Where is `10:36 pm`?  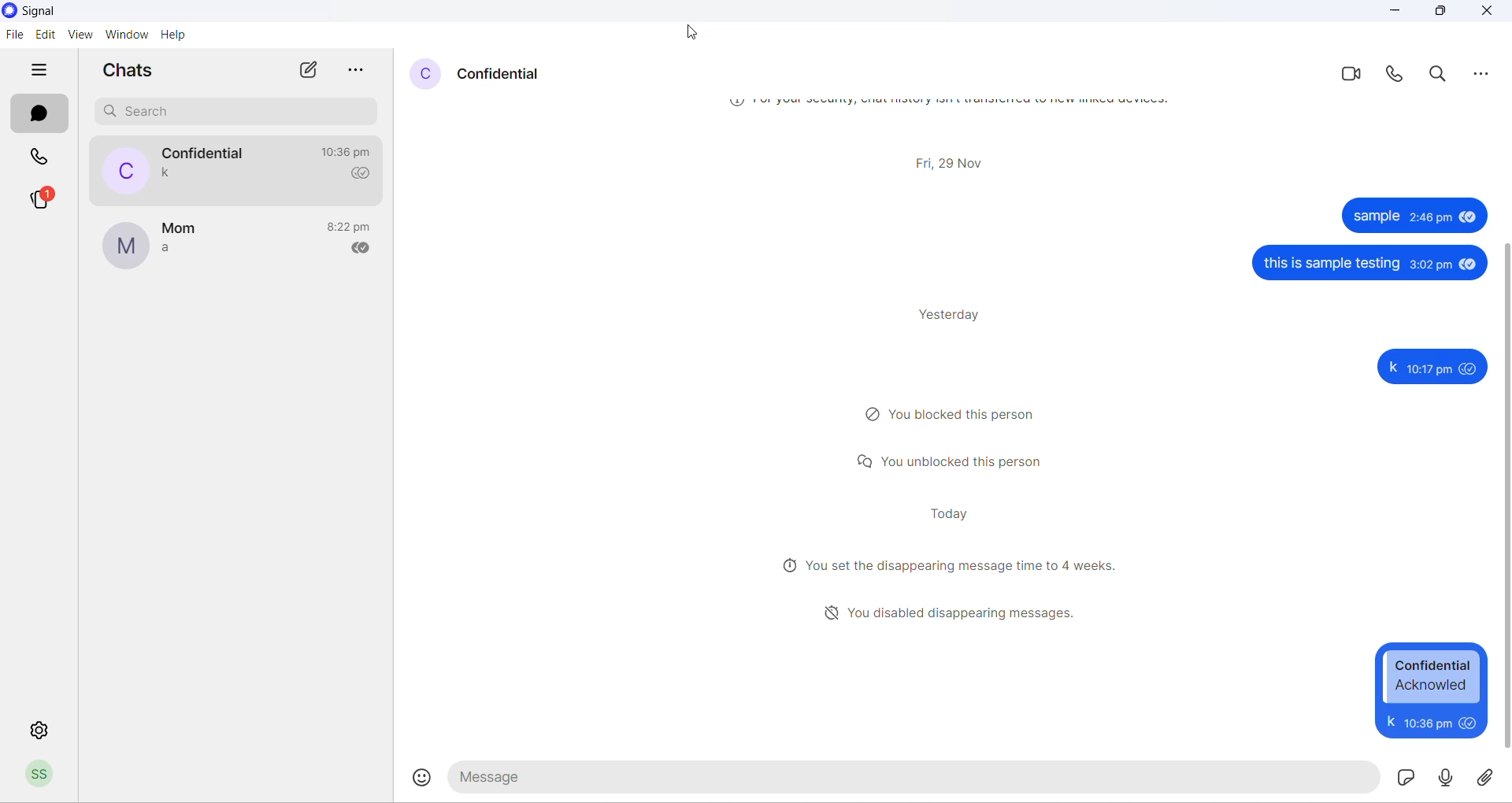
10:36 pm is located at coordinates (1425, 722).